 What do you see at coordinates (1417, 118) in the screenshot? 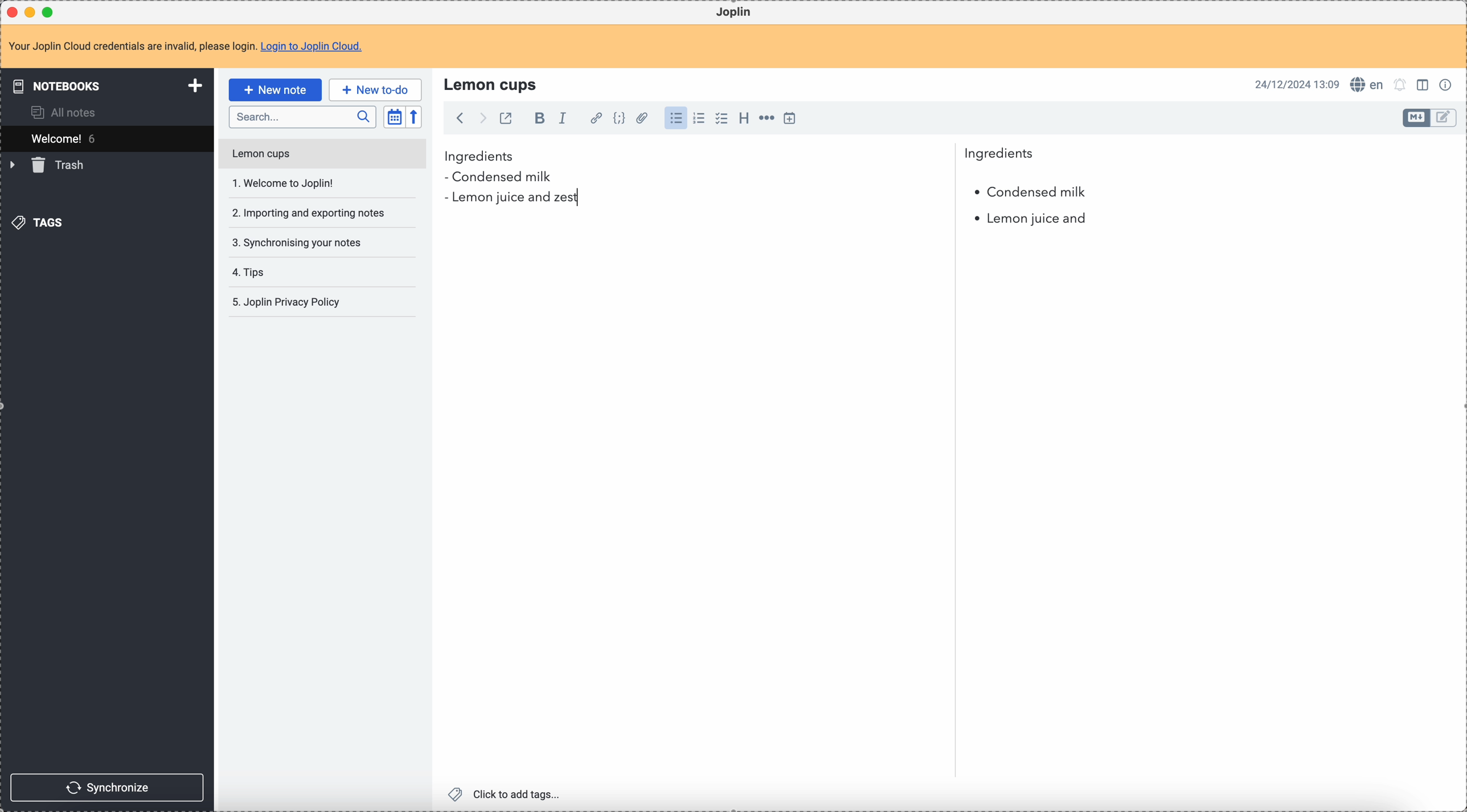
I see `toggle edit layout` at bounding box center [1417, 118].